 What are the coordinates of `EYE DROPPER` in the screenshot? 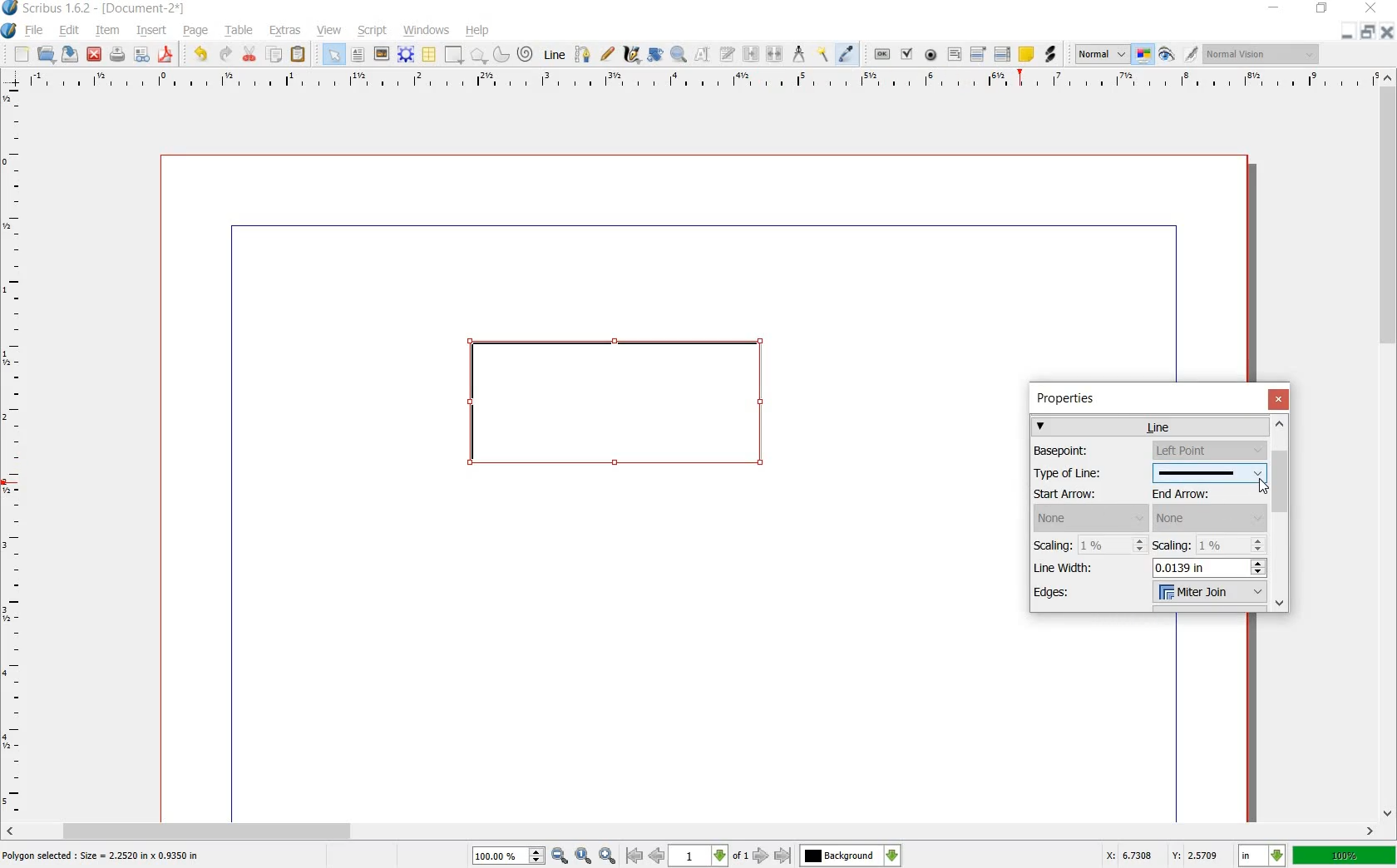 It's located at (849, 54).